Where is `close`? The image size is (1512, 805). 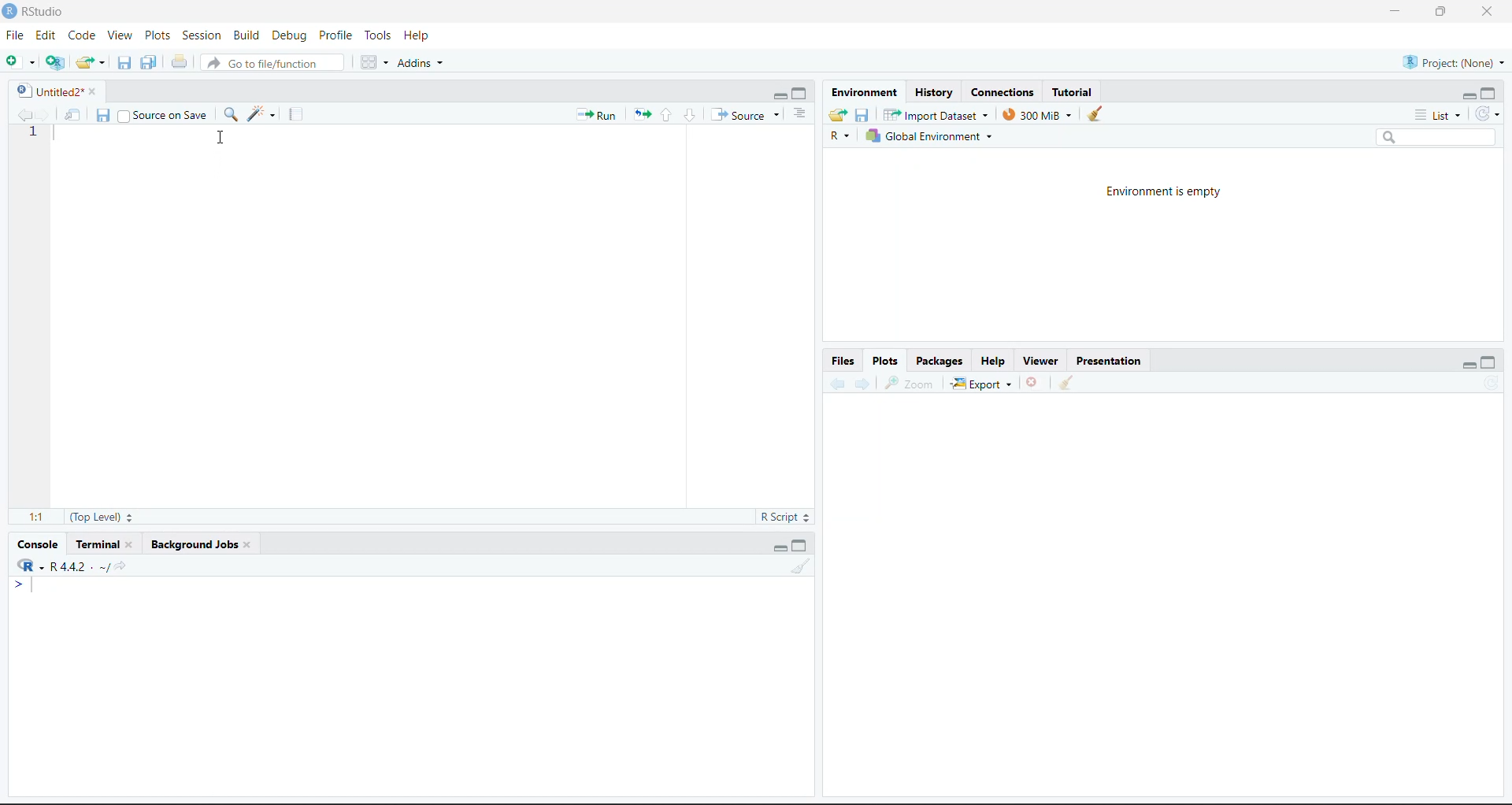
close is located at coordinates (1487, 13).